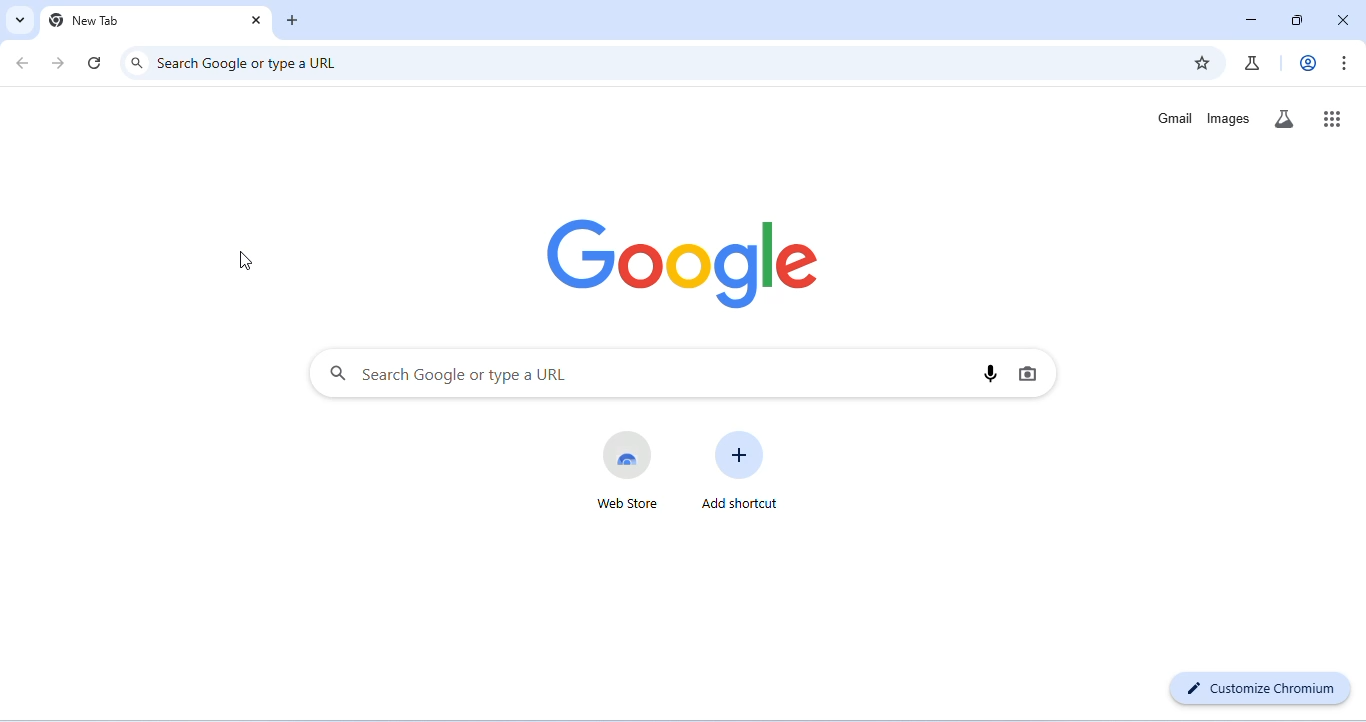 Image resolution: width=1366 pixels, height=722 pixels. Describe the element at coordinates (1254, 66) in the screenshot. I see `chrome labs` at that location.